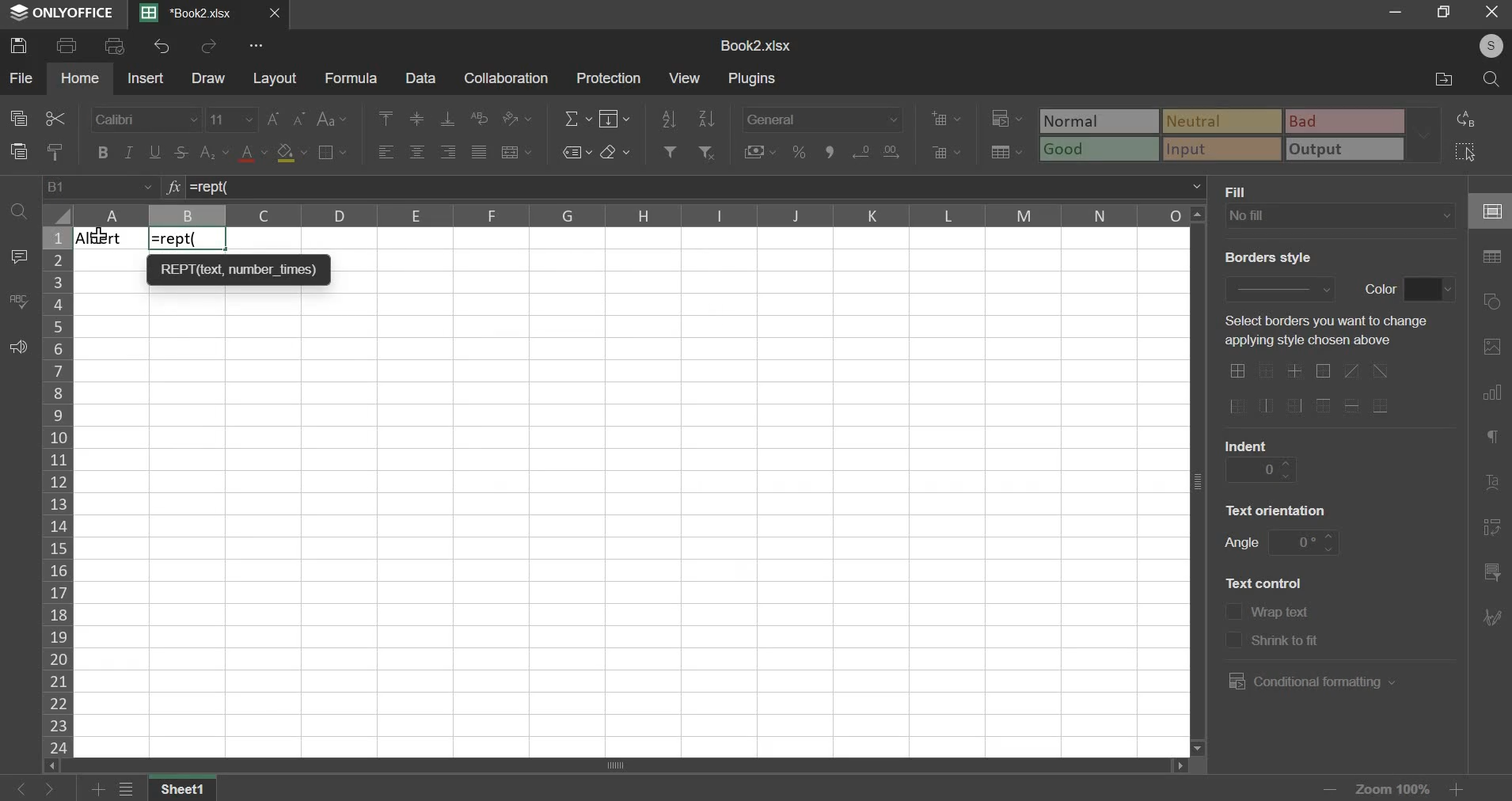  I want to click on view, so click(686, 78).